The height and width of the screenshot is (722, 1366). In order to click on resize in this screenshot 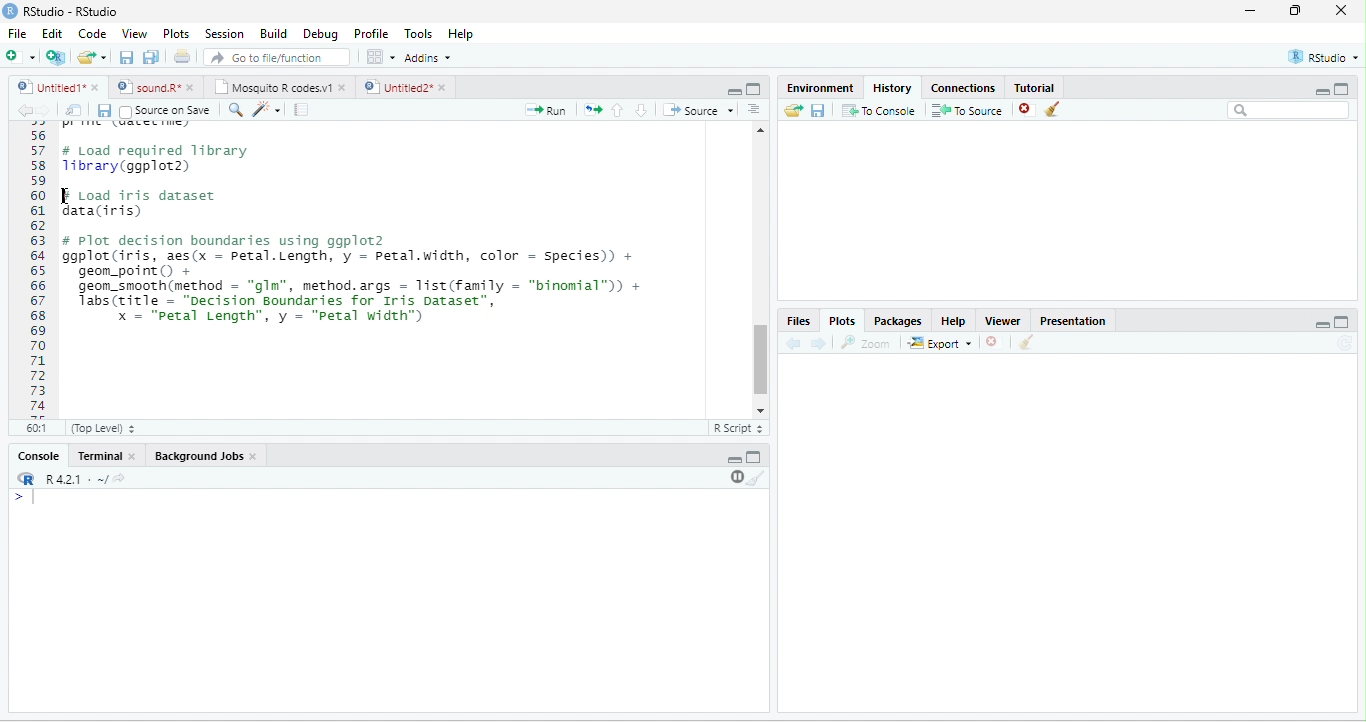, I will do `click(1296, 10)`.